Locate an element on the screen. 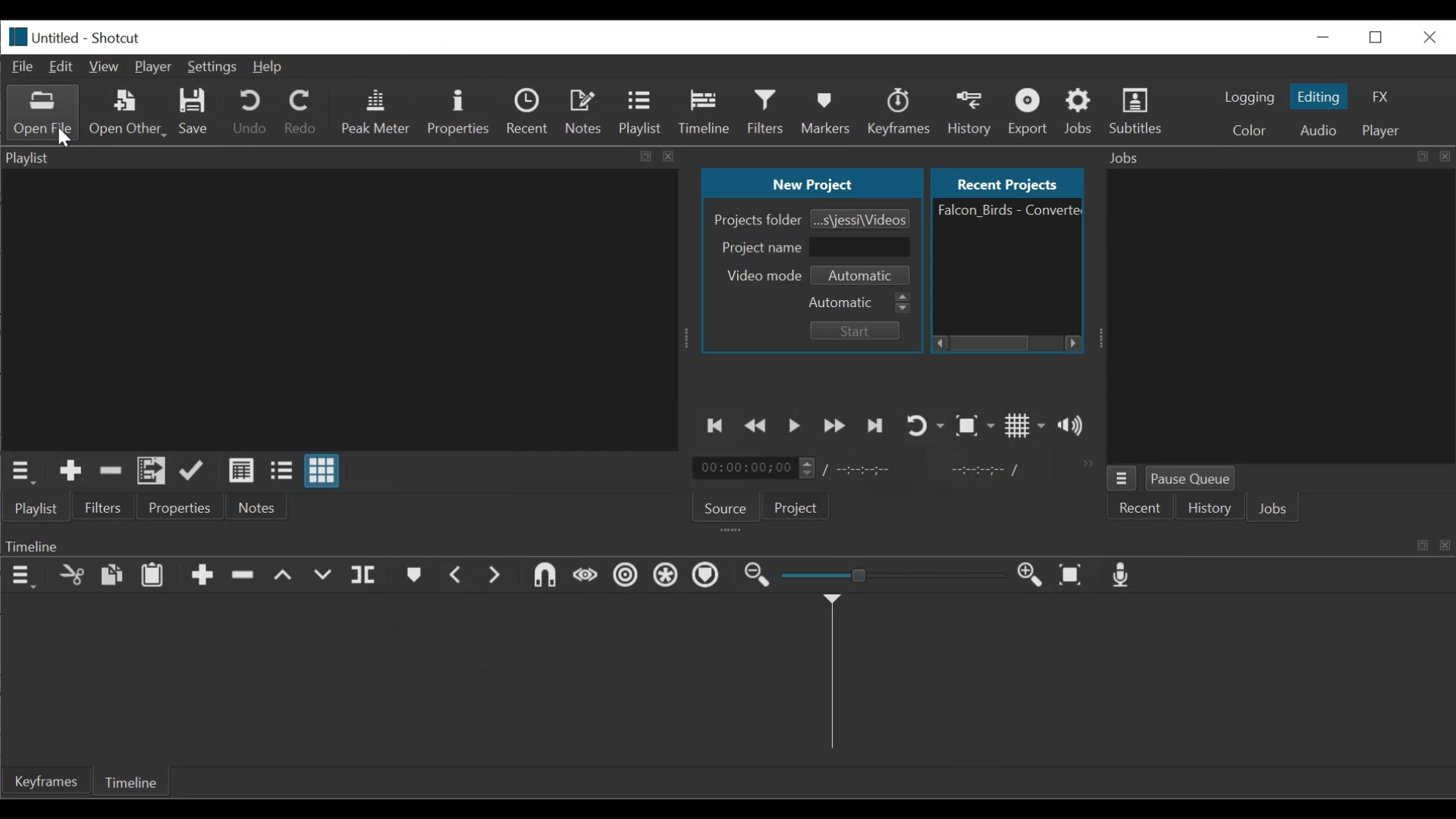 This screenshot has width=1456, height=819. Recent Projects is located at coordinates (1008, 184).